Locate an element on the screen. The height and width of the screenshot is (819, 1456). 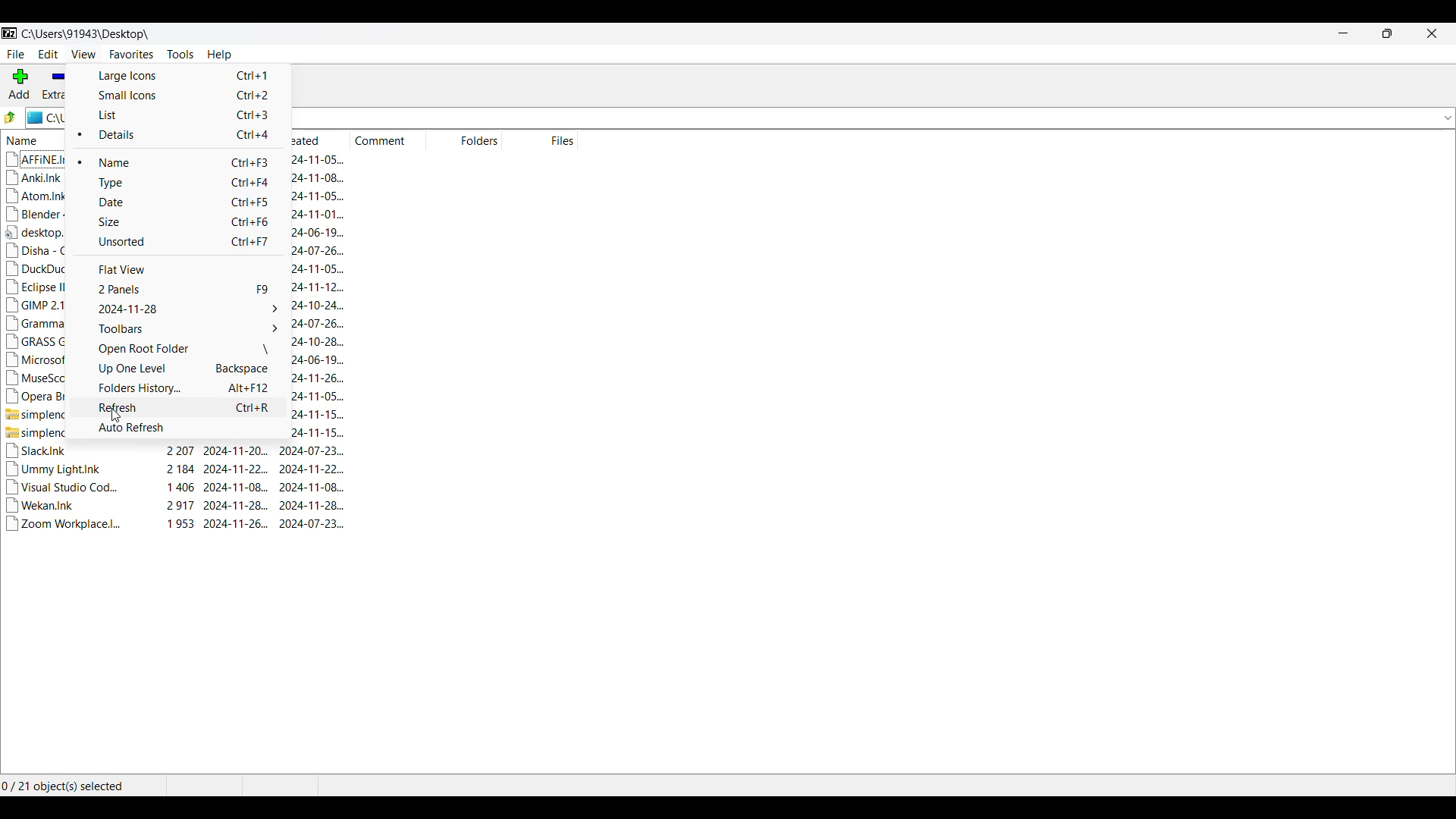
C:\Users\91943\Desktop\ is located at coordinates (81, 34).